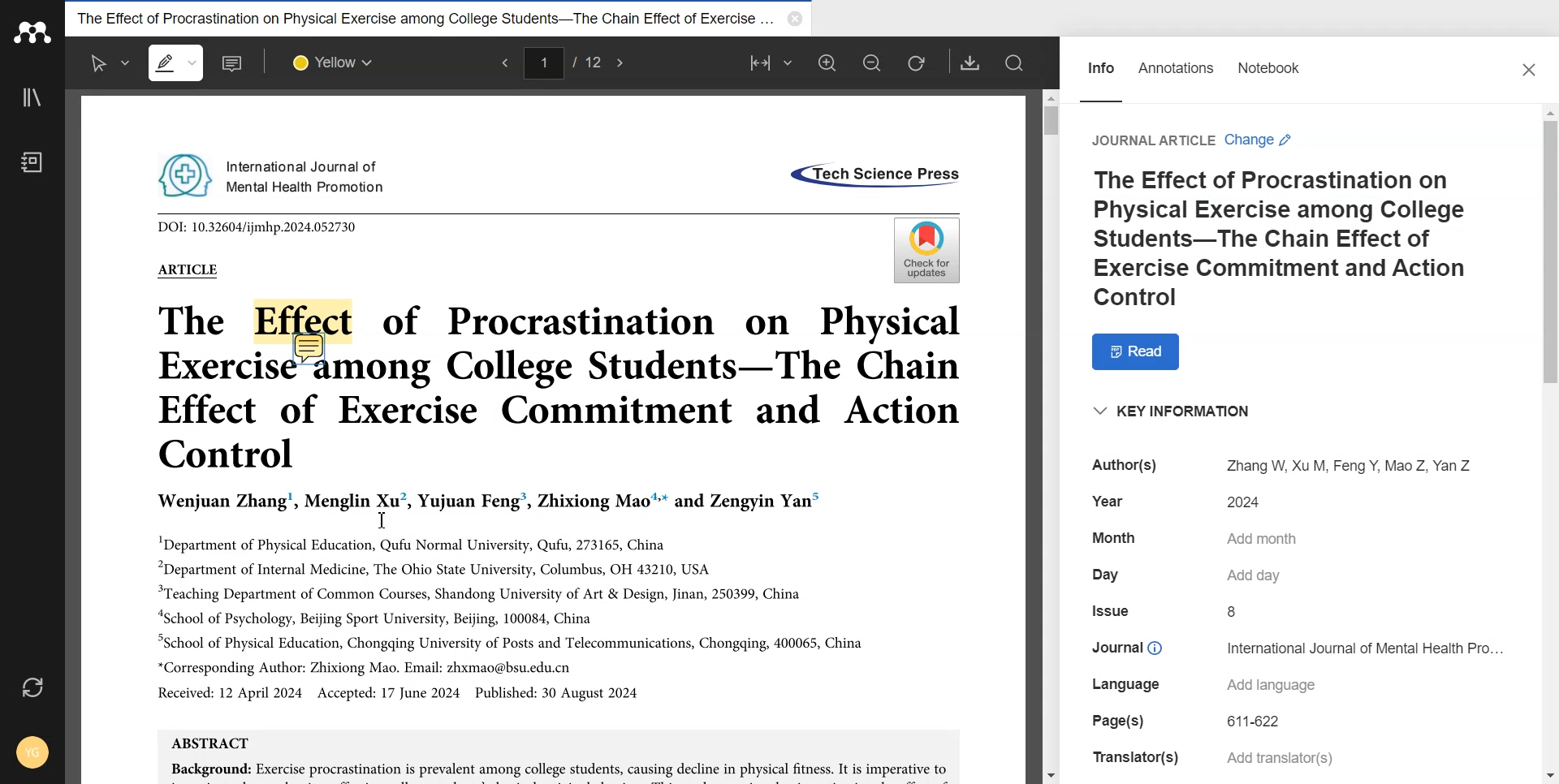  Describe the element at coordinates (1168, 611) in the screenshot. I see `Issue 8` at that location.